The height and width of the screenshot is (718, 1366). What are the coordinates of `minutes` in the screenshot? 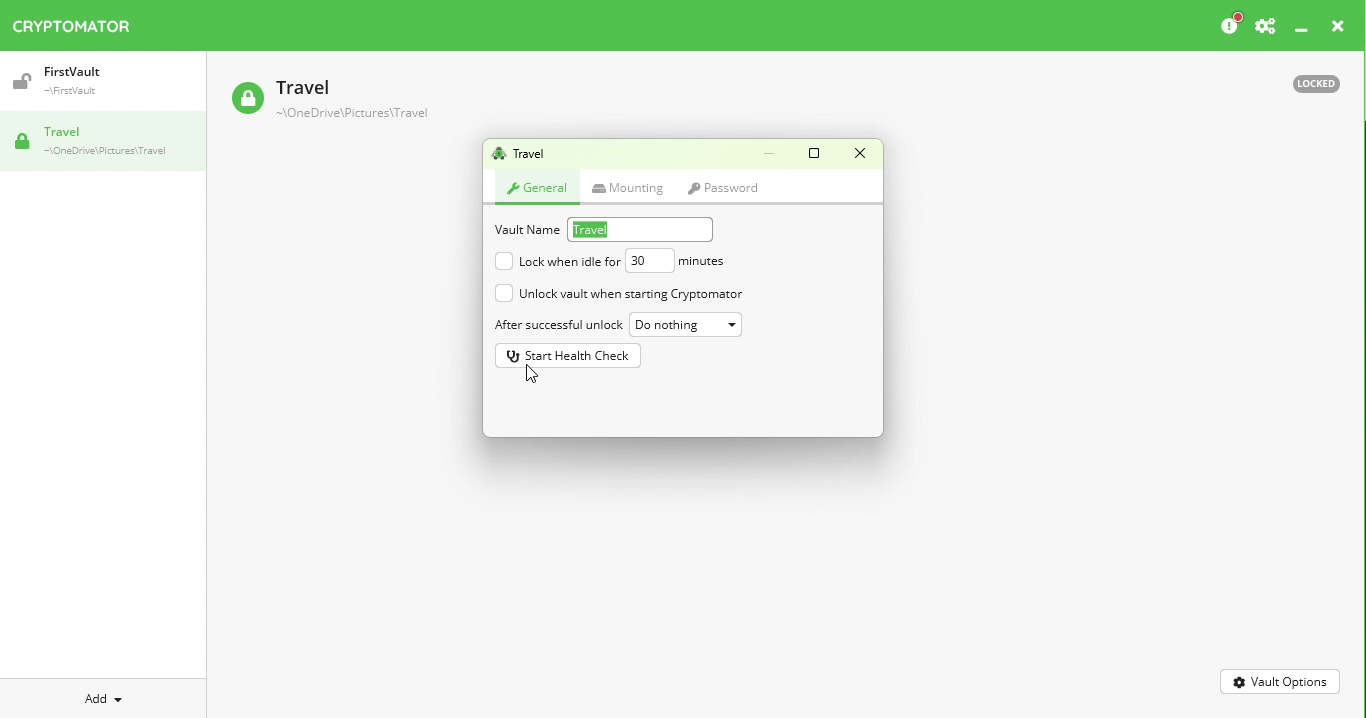 It's located at (703, 261).